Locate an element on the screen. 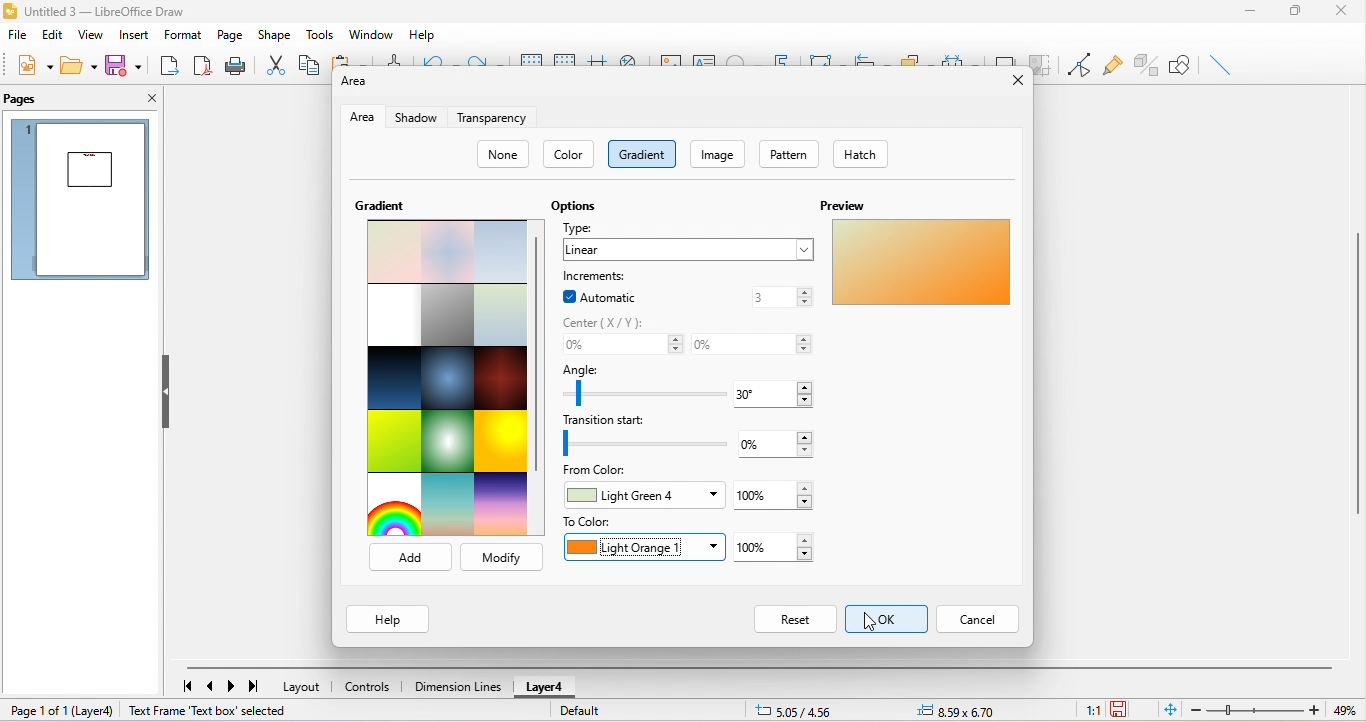 The image size is (1366, 722). the document has not been modified since the last save is located at coordinates (1130, 711).